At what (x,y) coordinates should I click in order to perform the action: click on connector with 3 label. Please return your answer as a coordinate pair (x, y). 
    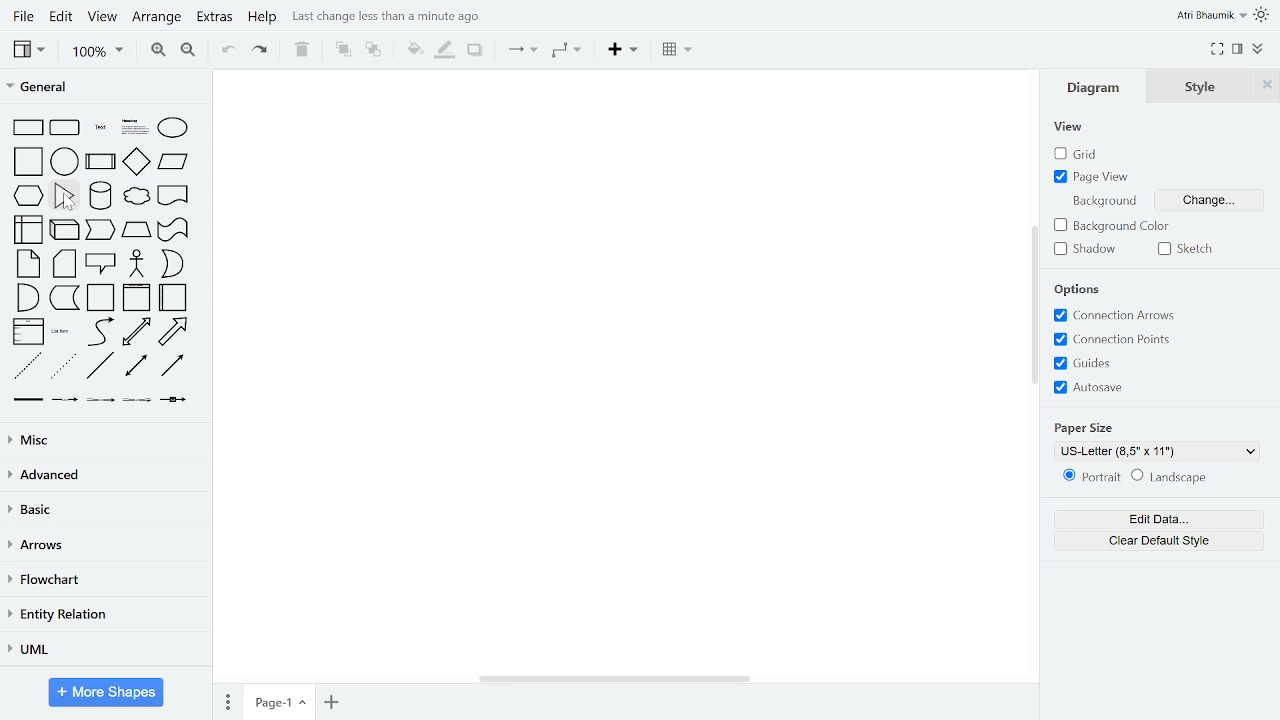
    Looking at the image, I should click on (135, 402).